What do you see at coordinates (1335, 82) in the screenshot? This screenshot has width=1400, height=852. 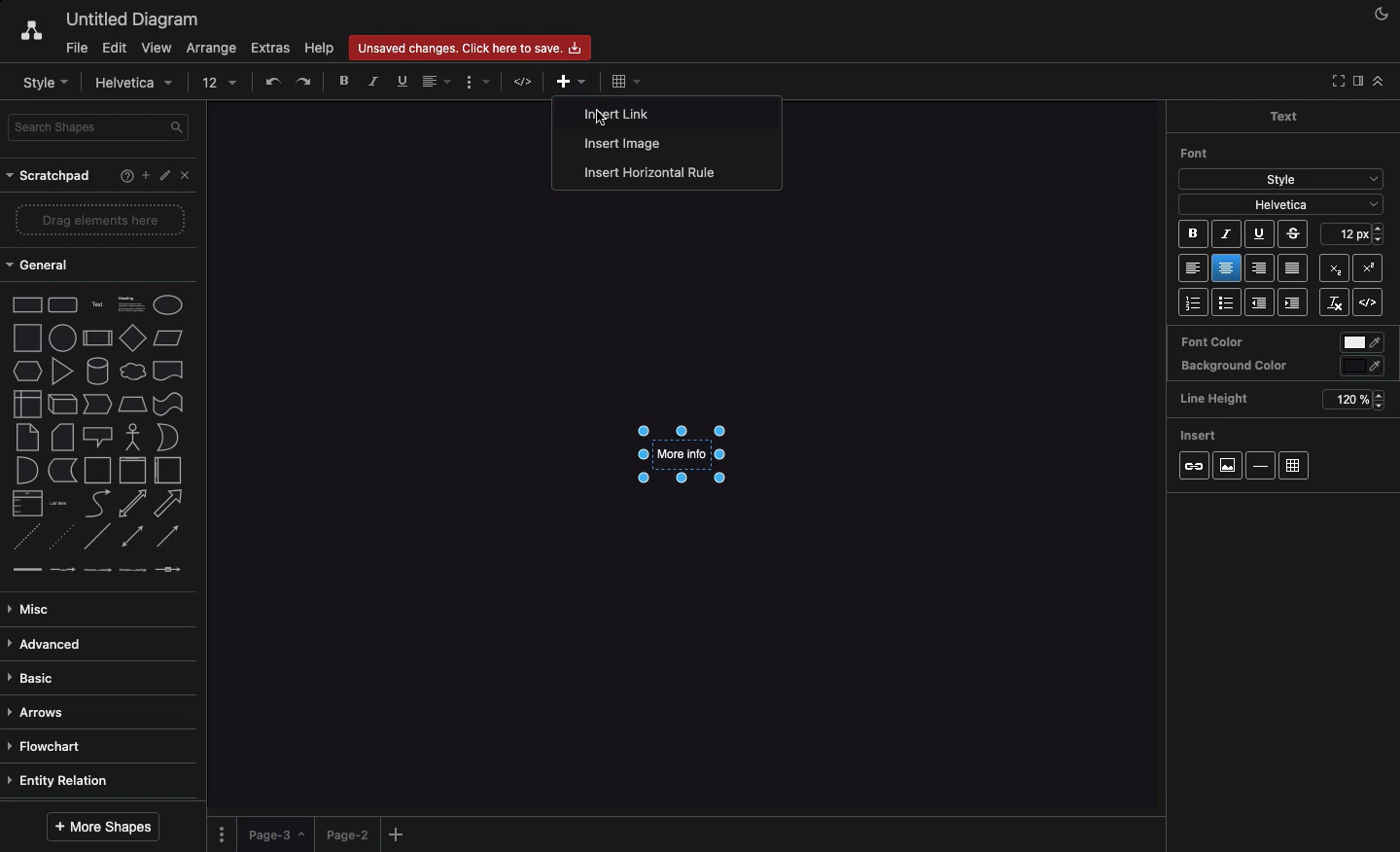 I see `Collapse` at bounding box center [1335, 82].